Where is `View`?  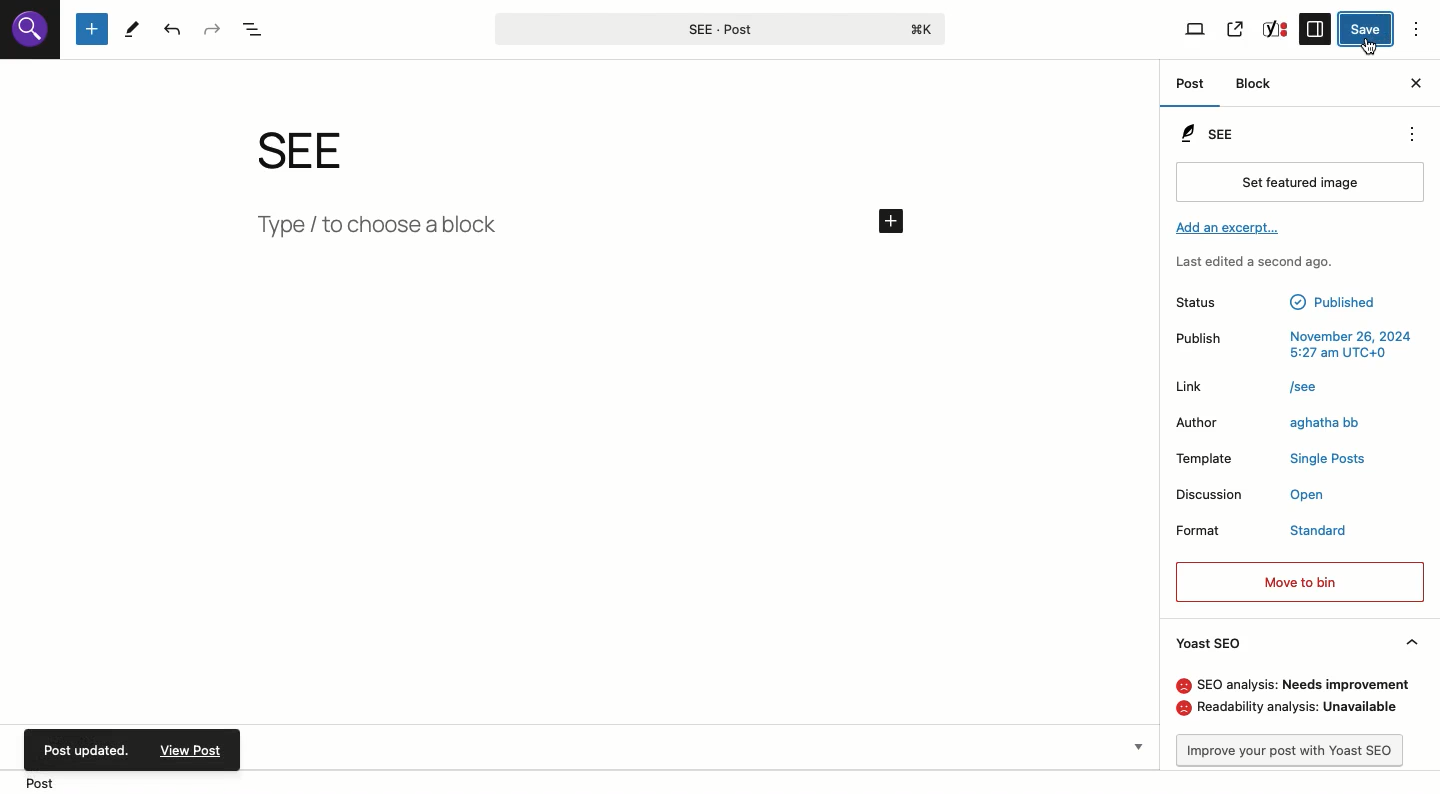 View is located at coordinates (1196, 30).